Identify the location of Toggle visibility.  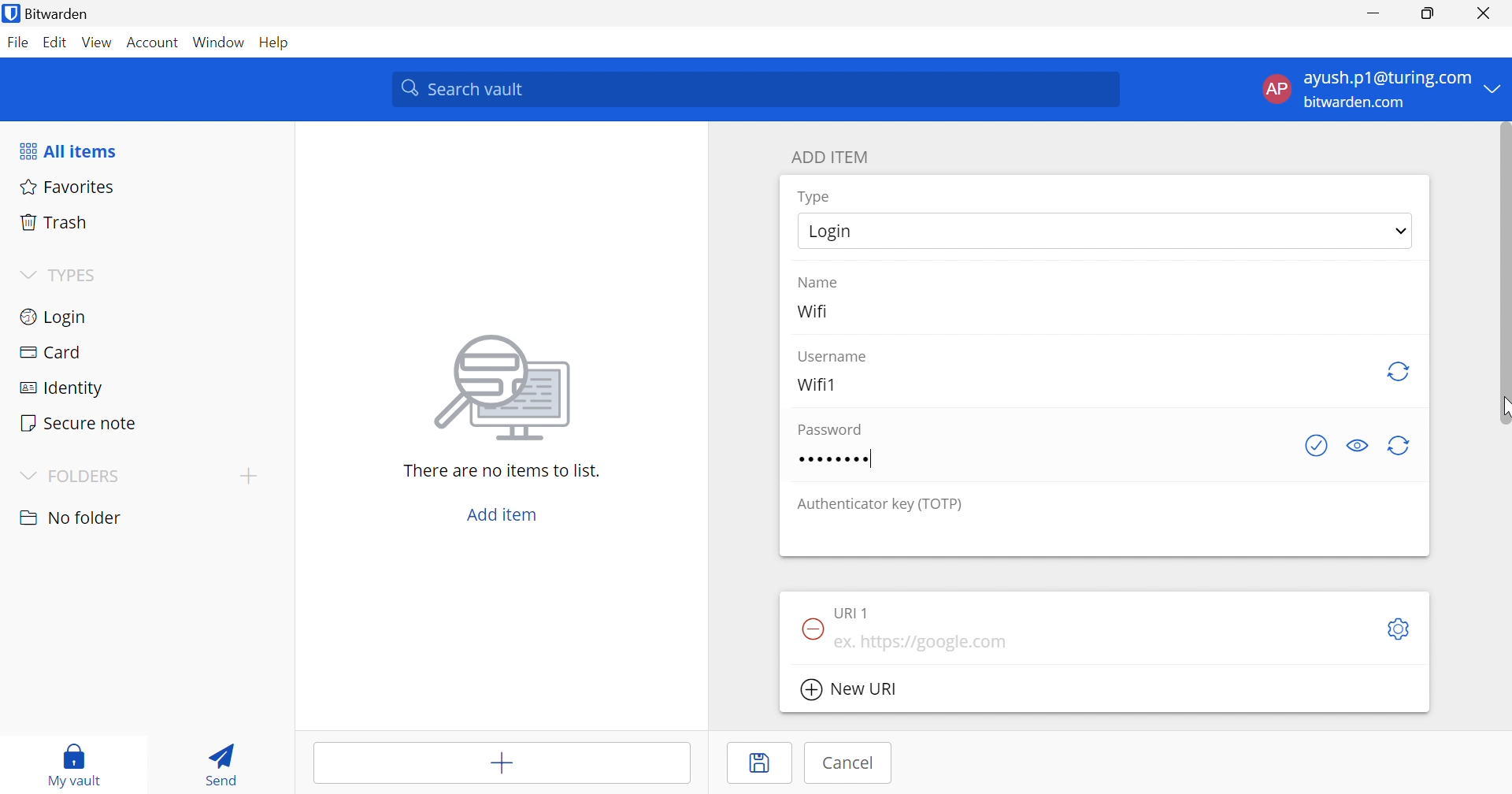
(1359, 446).